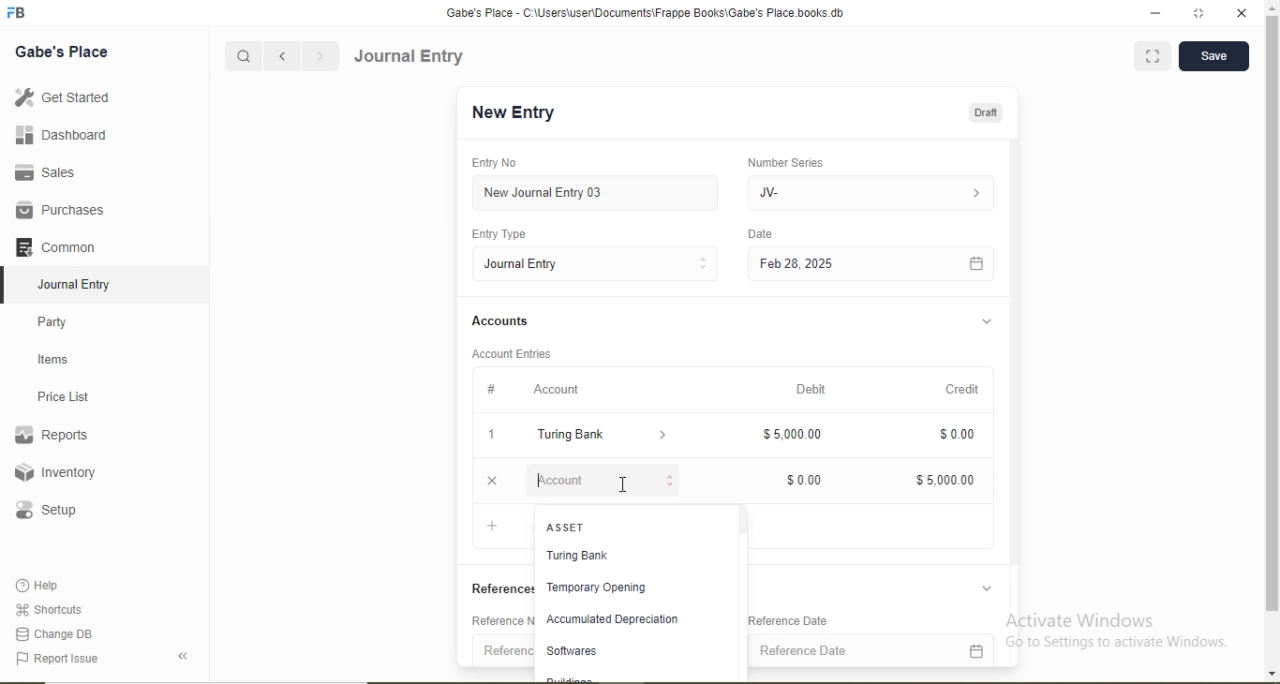  What do you see at coordinates (1198, 13) in the screenshot?
I see `full screen` at bounding box center [1198, 13].